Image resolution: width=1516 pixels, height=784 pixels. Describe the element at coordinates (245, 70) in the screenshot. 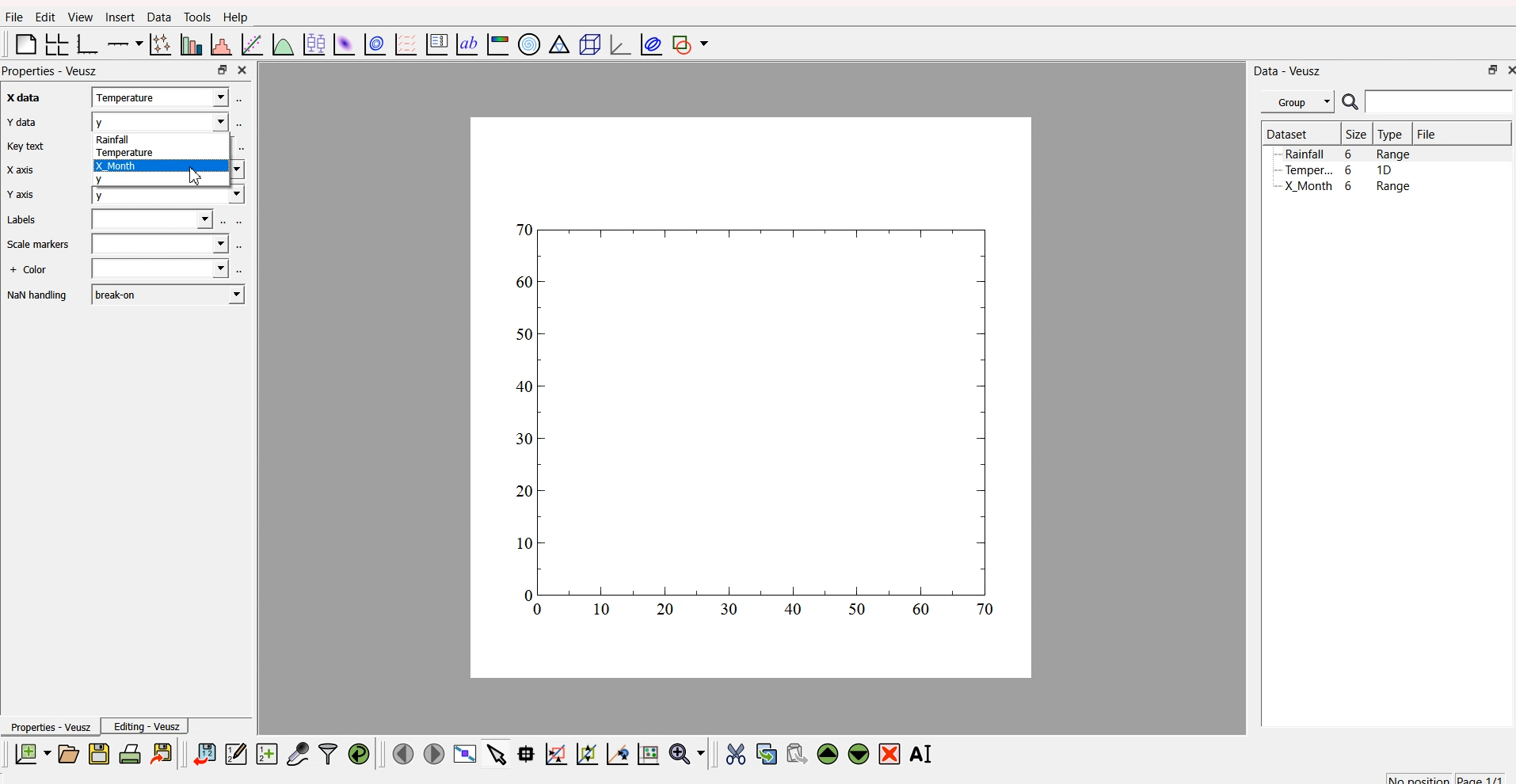

I see `close` at that location.